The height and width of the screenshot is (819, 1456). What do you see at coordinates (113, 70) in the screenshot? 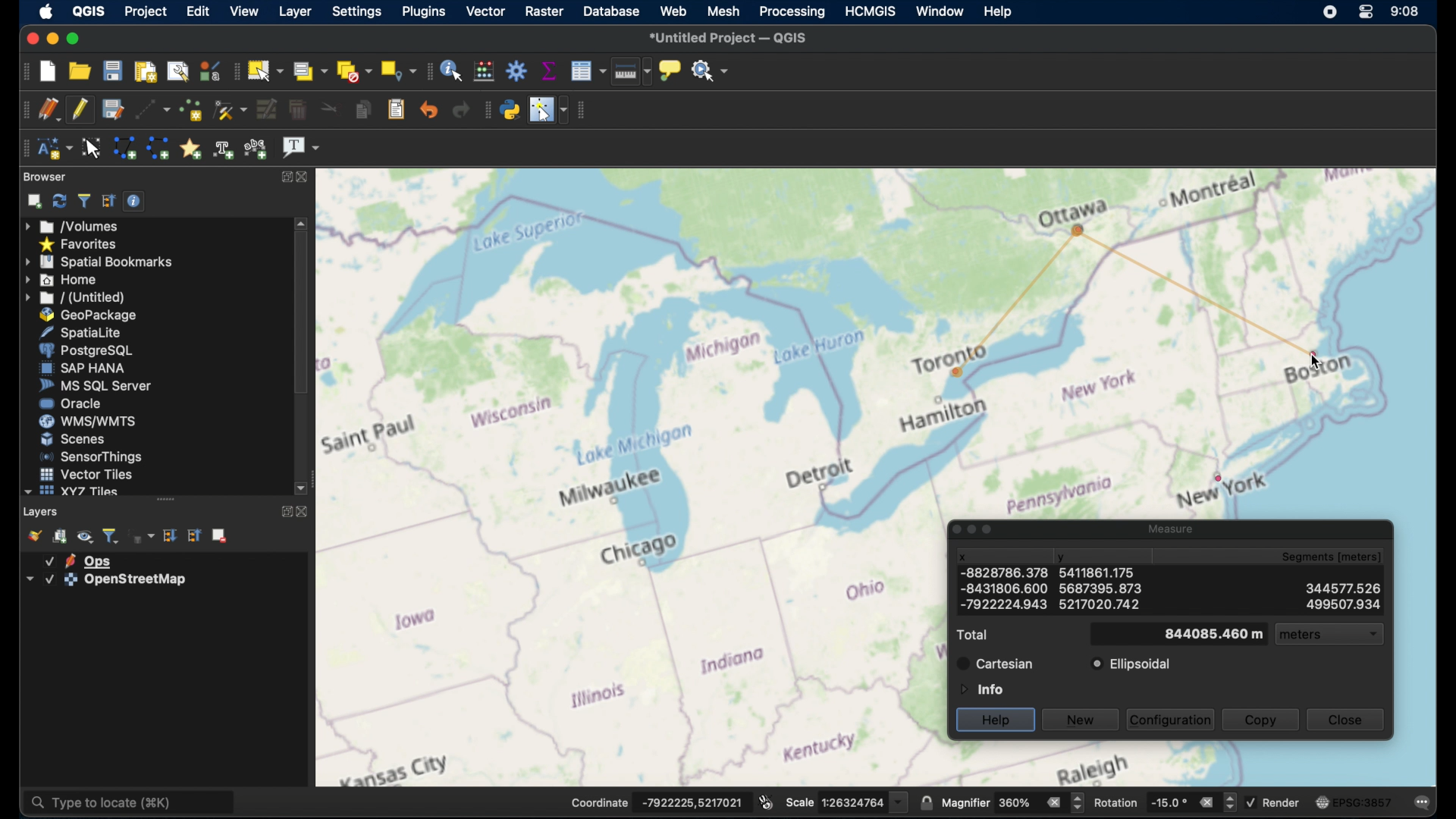
I see `save project` at bounding box center [113, 70].